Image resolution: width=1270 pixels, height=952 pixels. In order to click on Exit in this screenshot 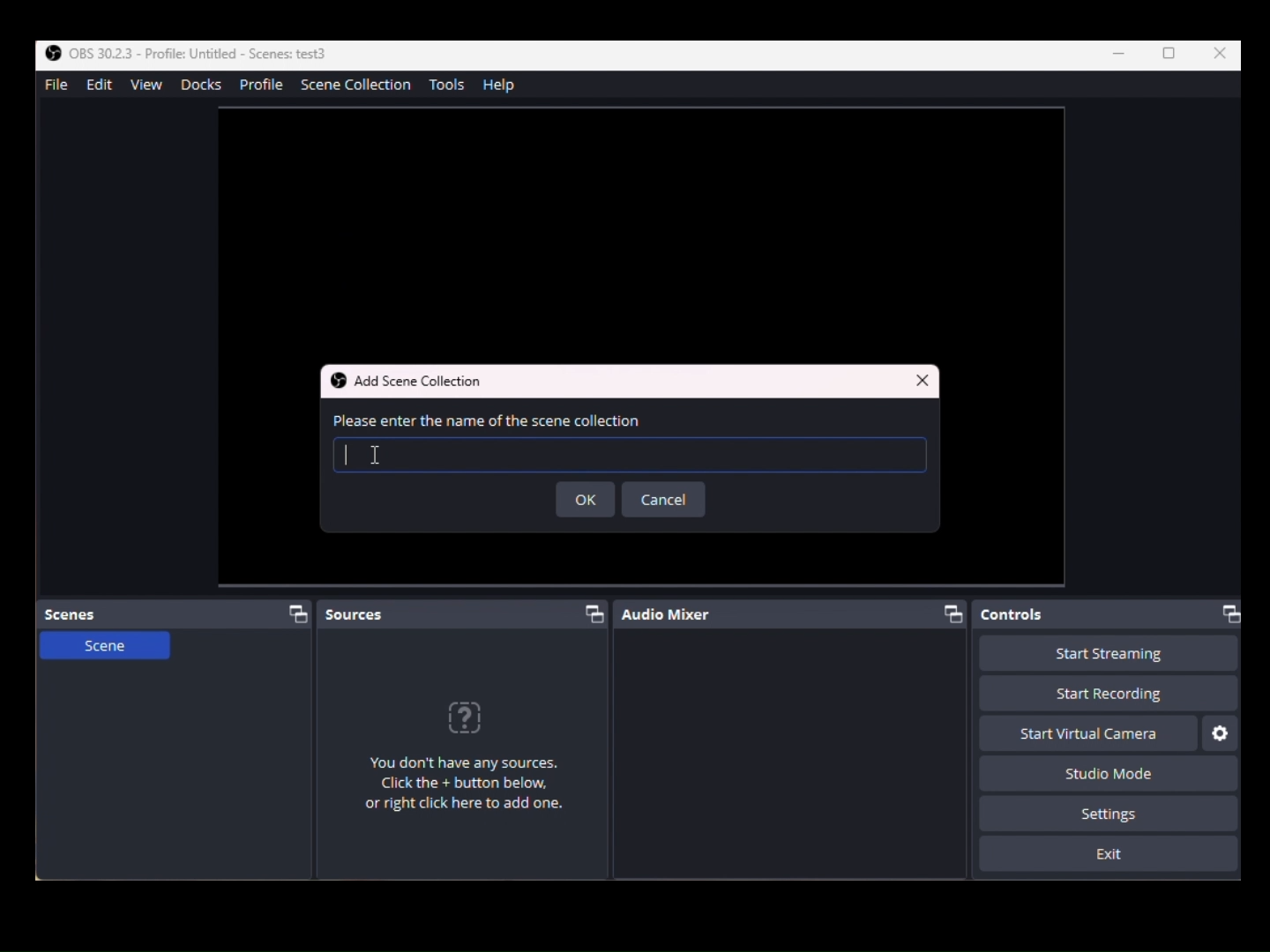, I will do `click(1109, 855)`.